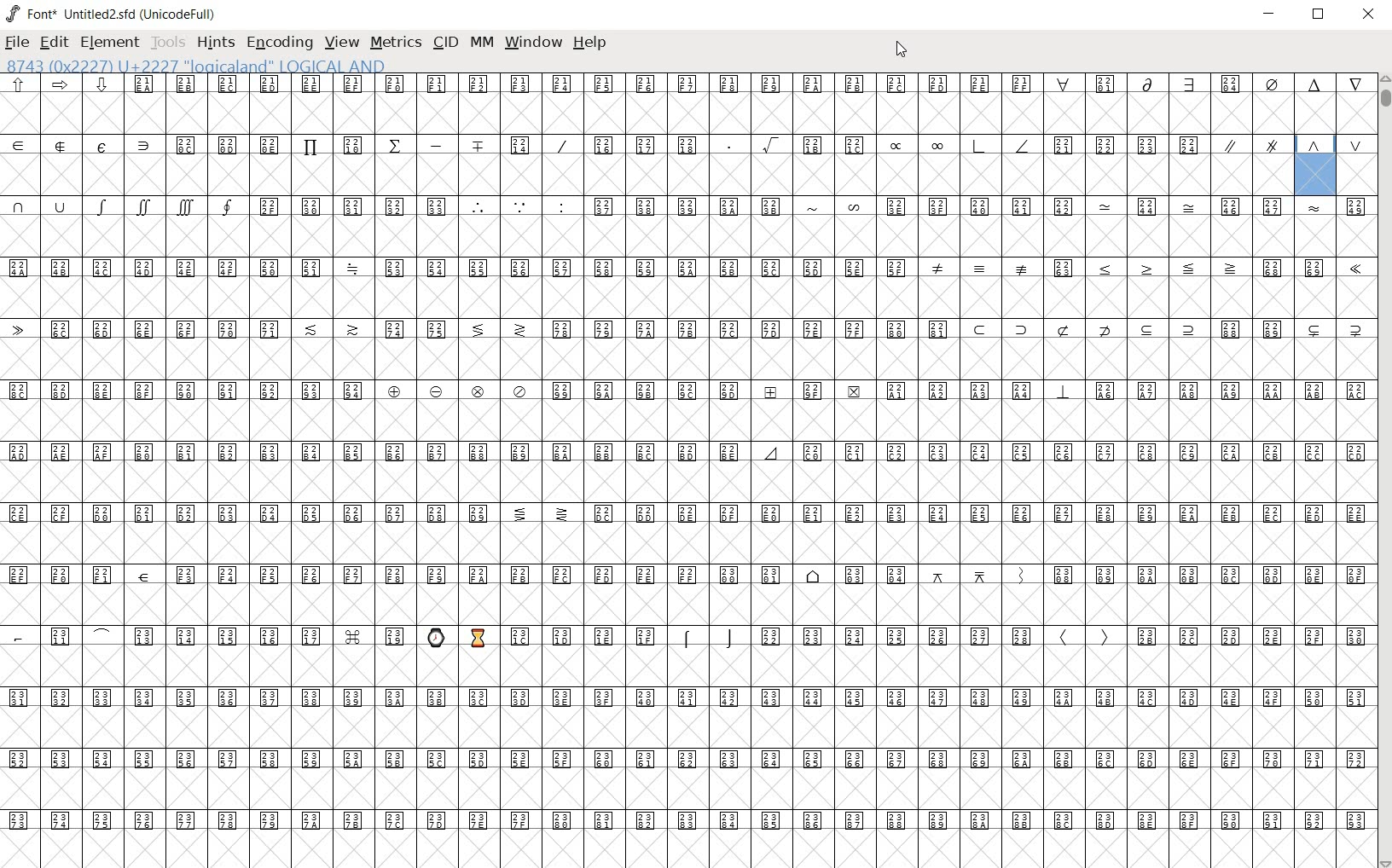  What do you see at coordinates (341, 42) in the screenshot?
I see `view` at bounding box center [341, 42].